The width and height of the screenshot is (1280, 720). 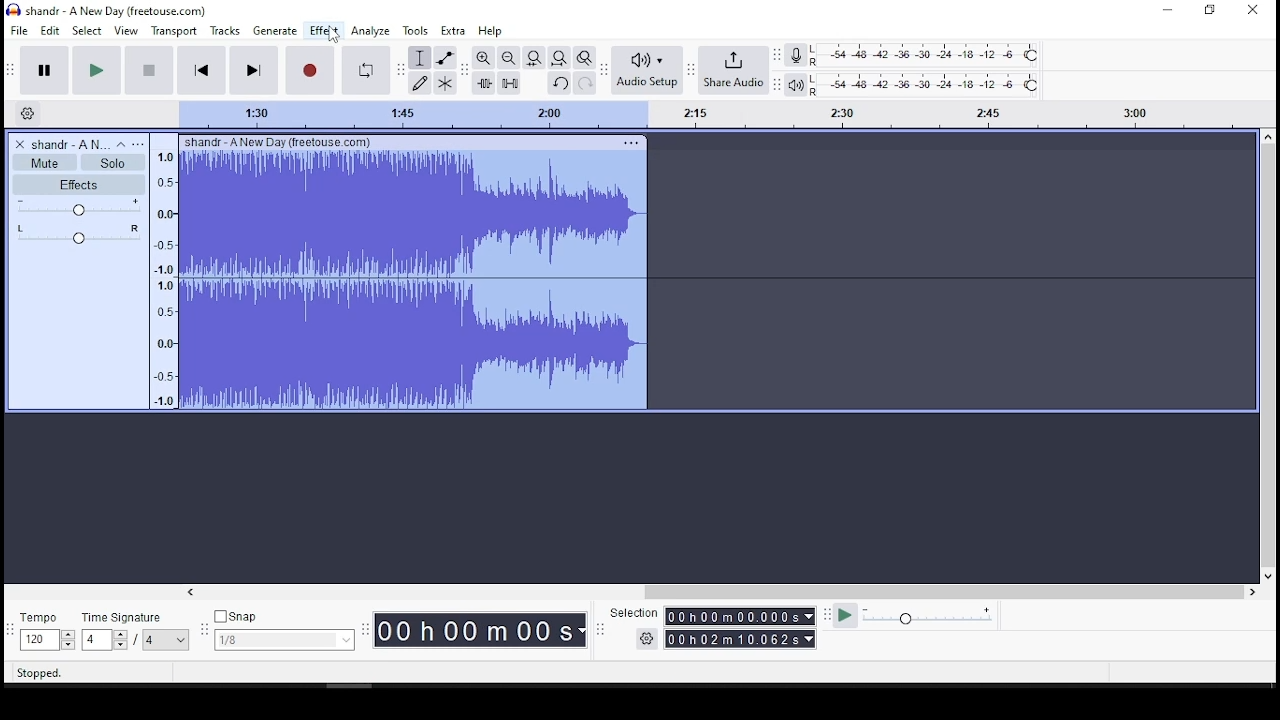 I want to click on tools, so click(x=417, y=30).